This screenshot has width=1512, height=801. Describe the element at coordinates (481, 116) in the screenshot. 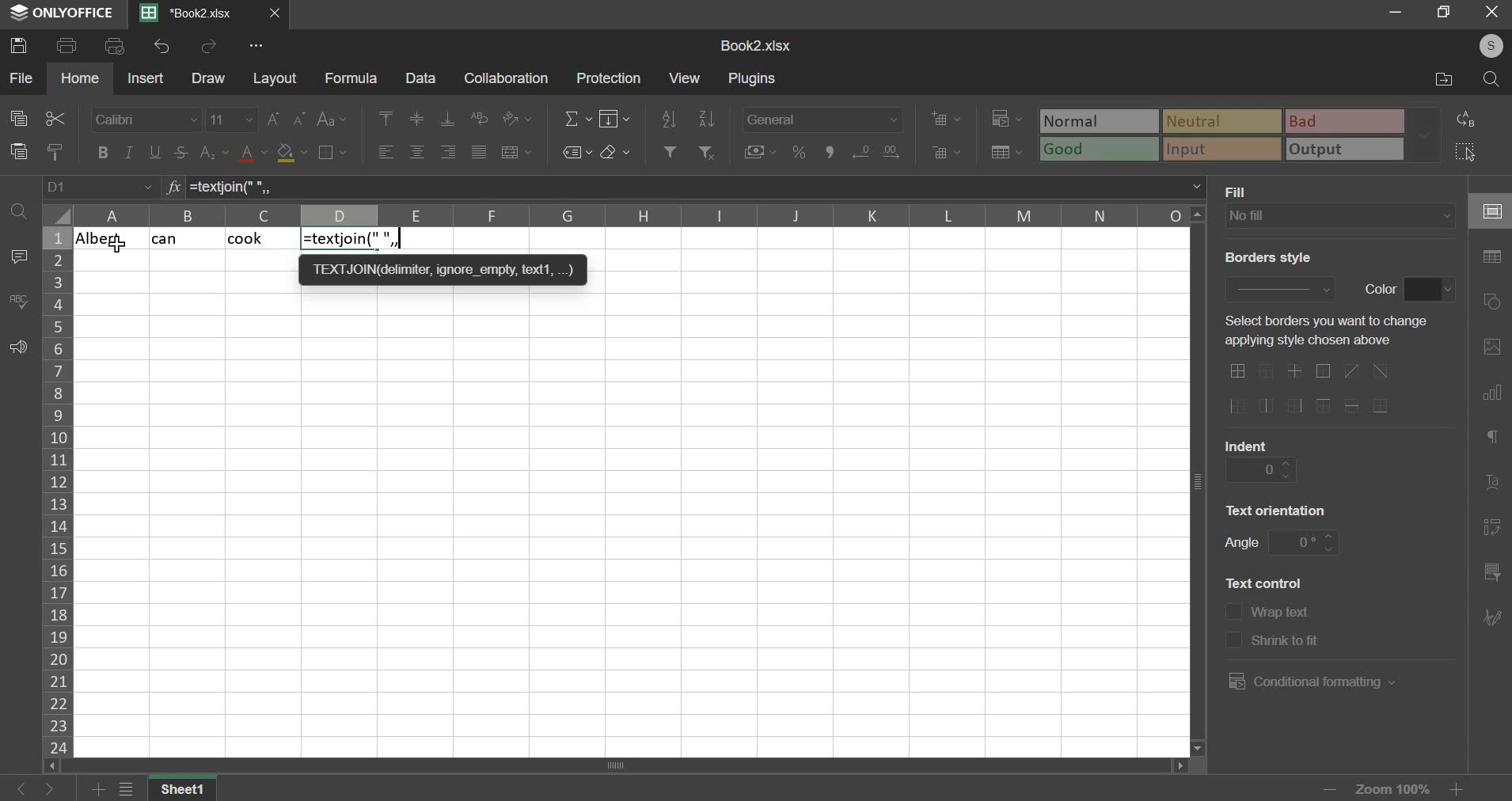

I see `wrap text` at that location.